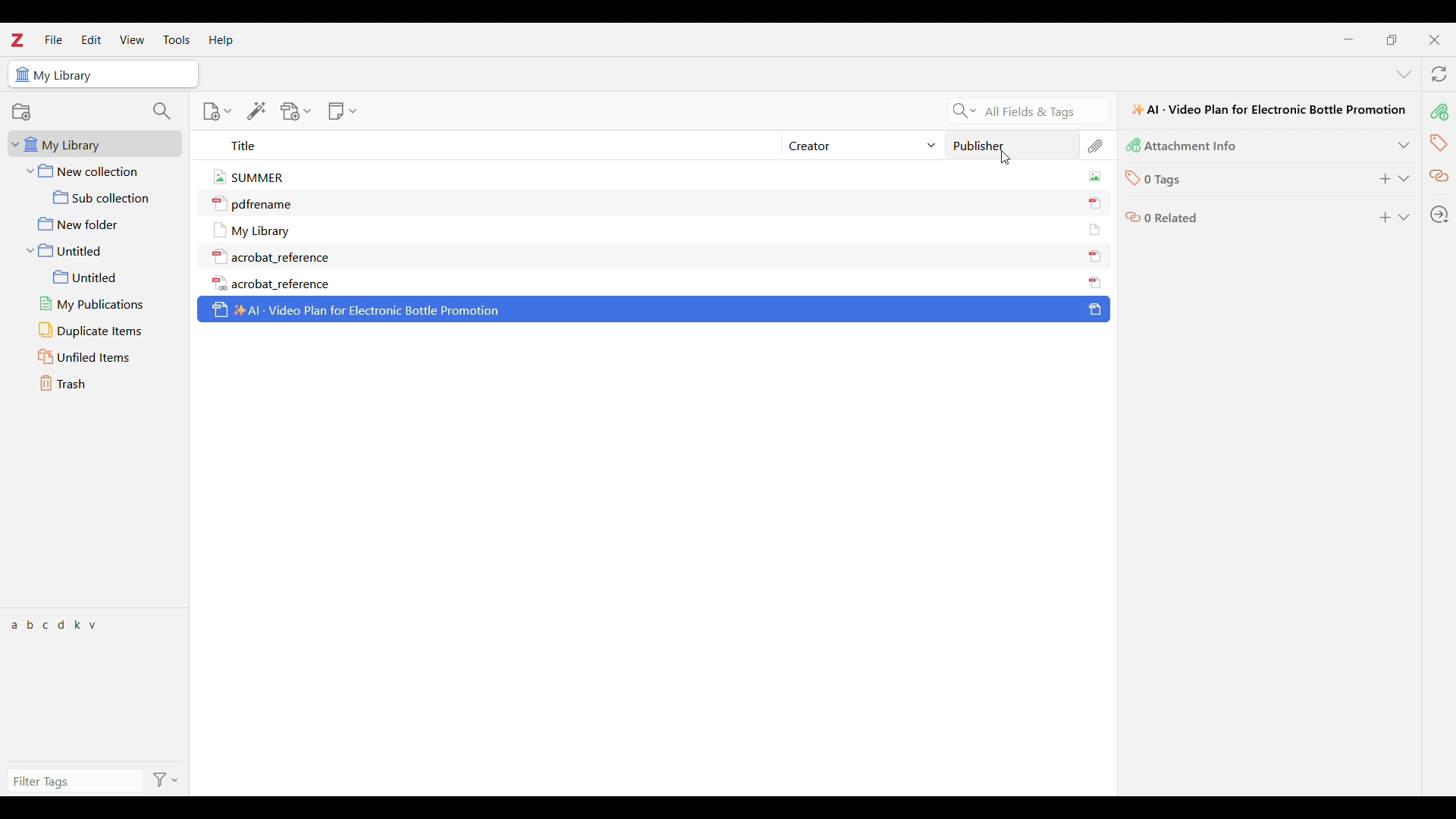  What do you see at coordinates (343, 111) in the screenshot?
I see `New note options` at bounding box center [343, 111].